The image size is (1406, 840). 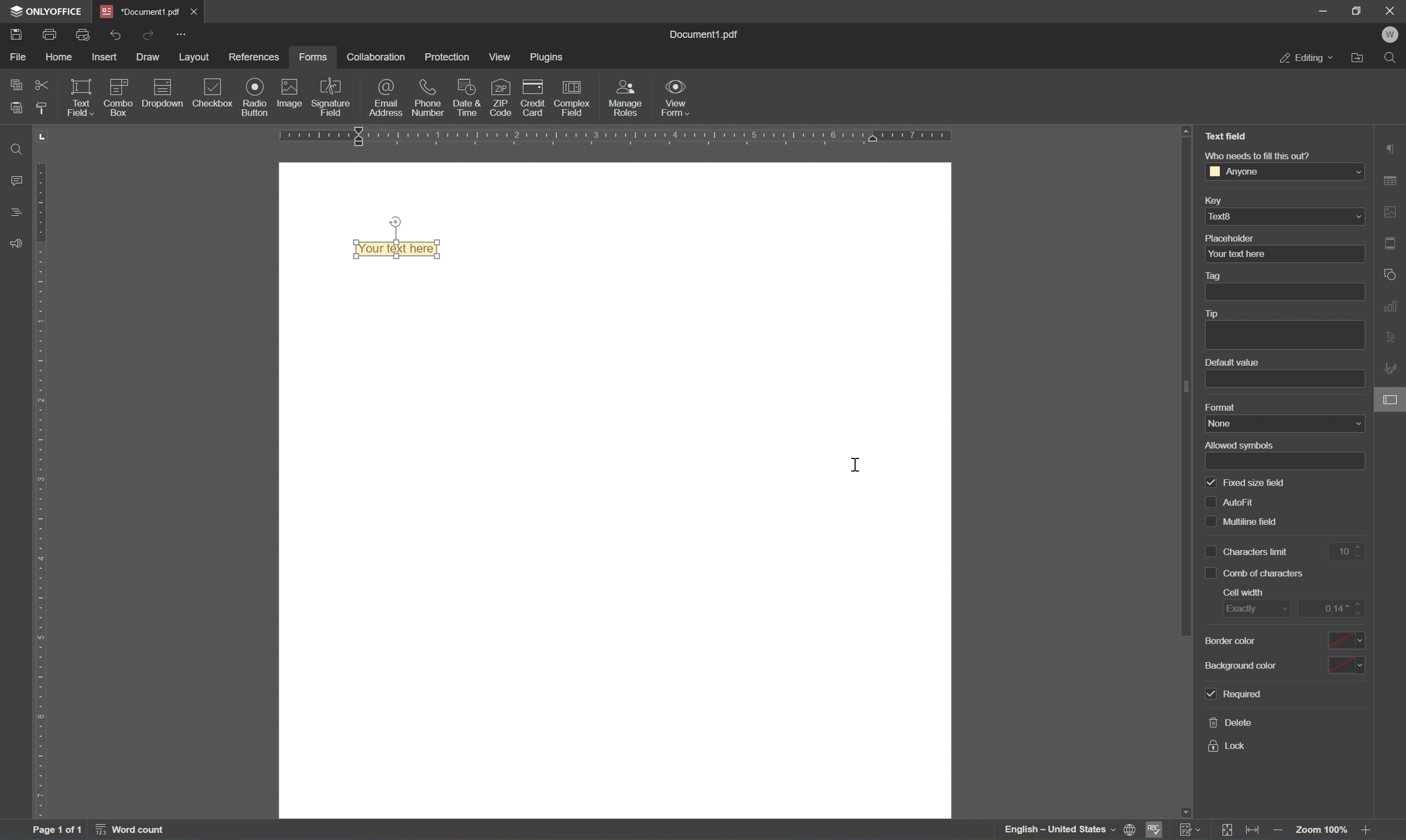 I want to click on find, so click(x=1390, y=59).